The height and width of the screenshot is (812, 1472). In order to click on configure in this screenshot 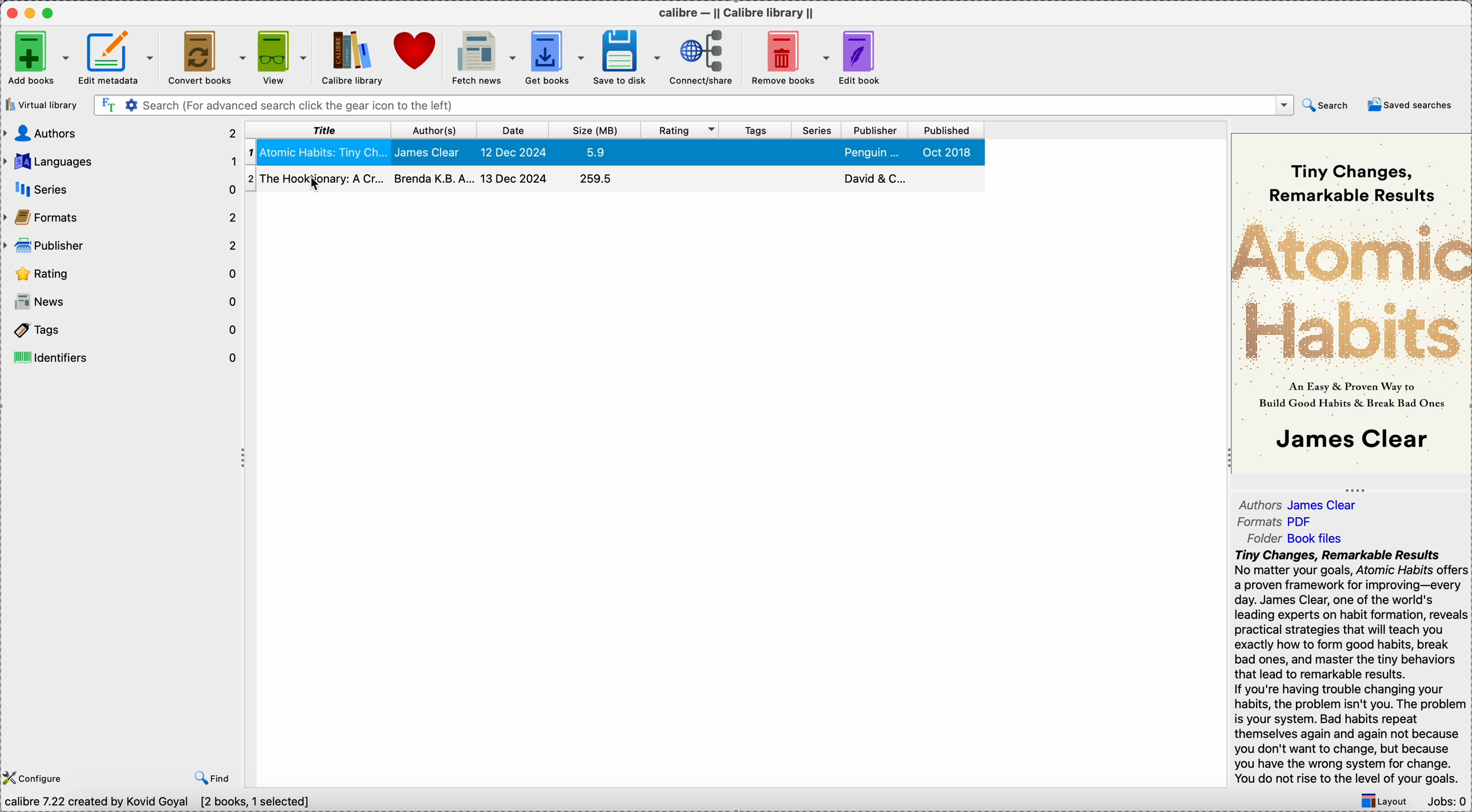, I will do `click(35, 777)`.